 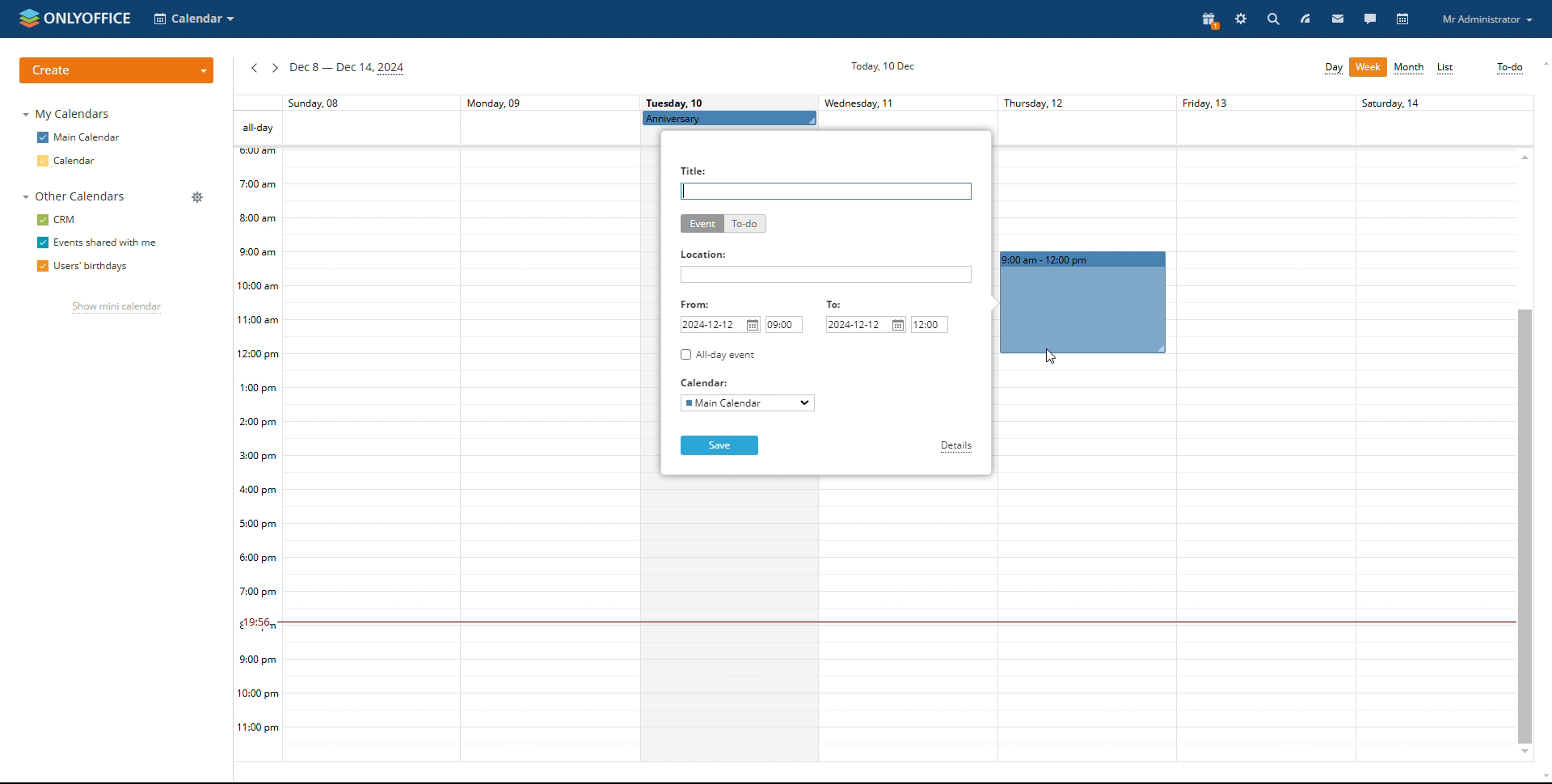 I want to click on week view, so click(x=1369, y=67).